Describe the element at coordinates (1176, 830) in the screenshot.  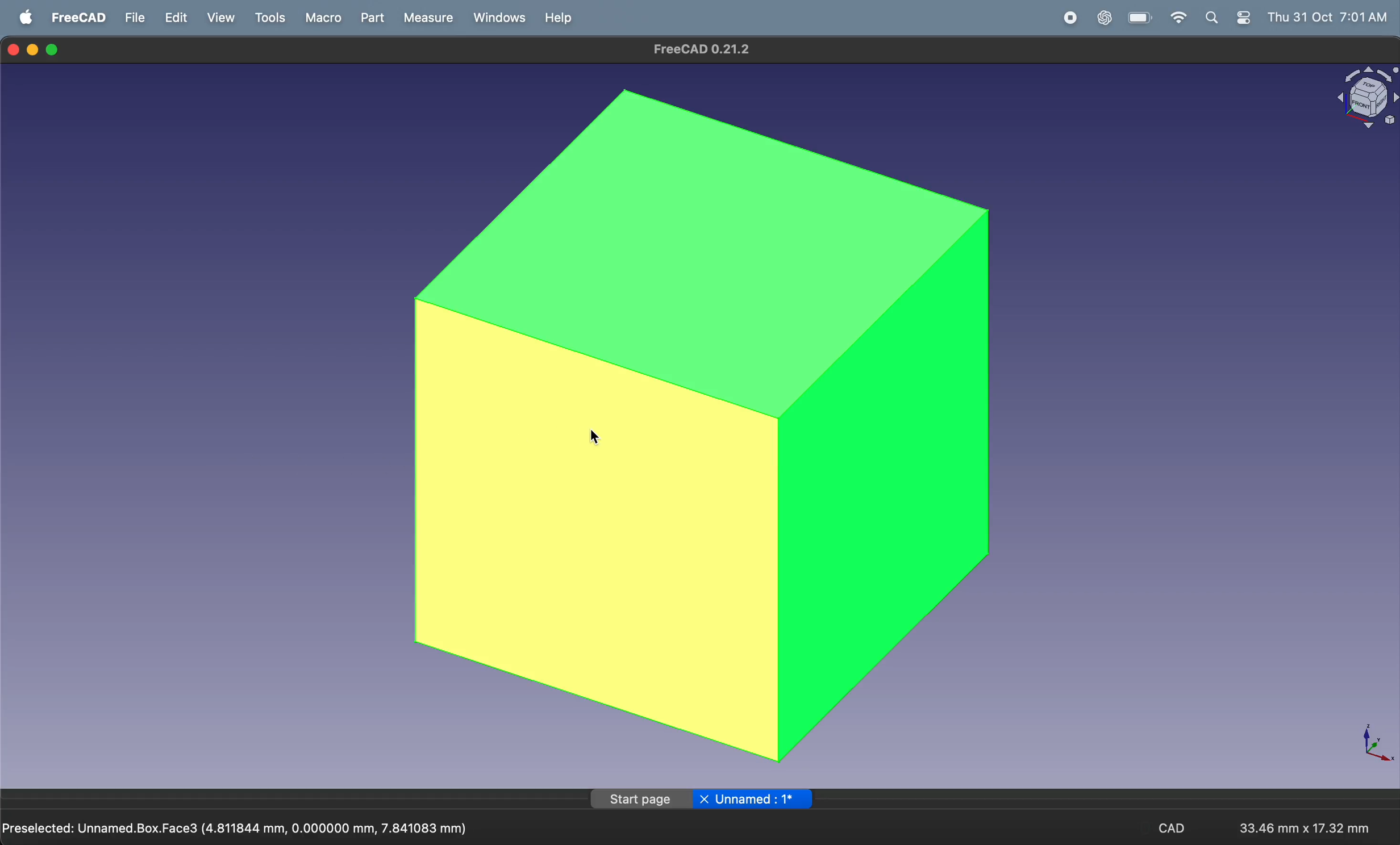
I see `CAD` at that location.